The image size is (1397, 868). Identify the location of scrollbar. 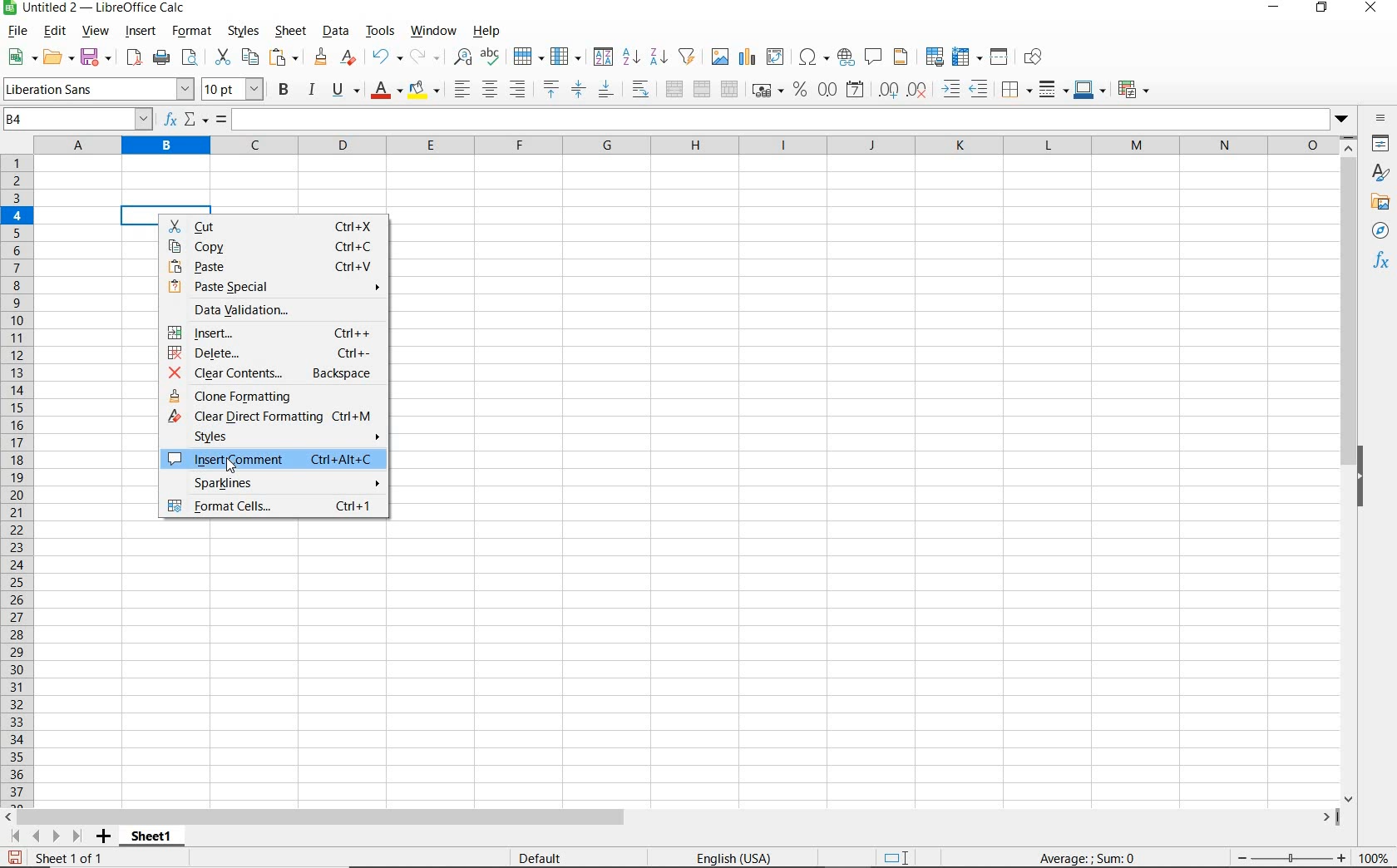
(673, 817).